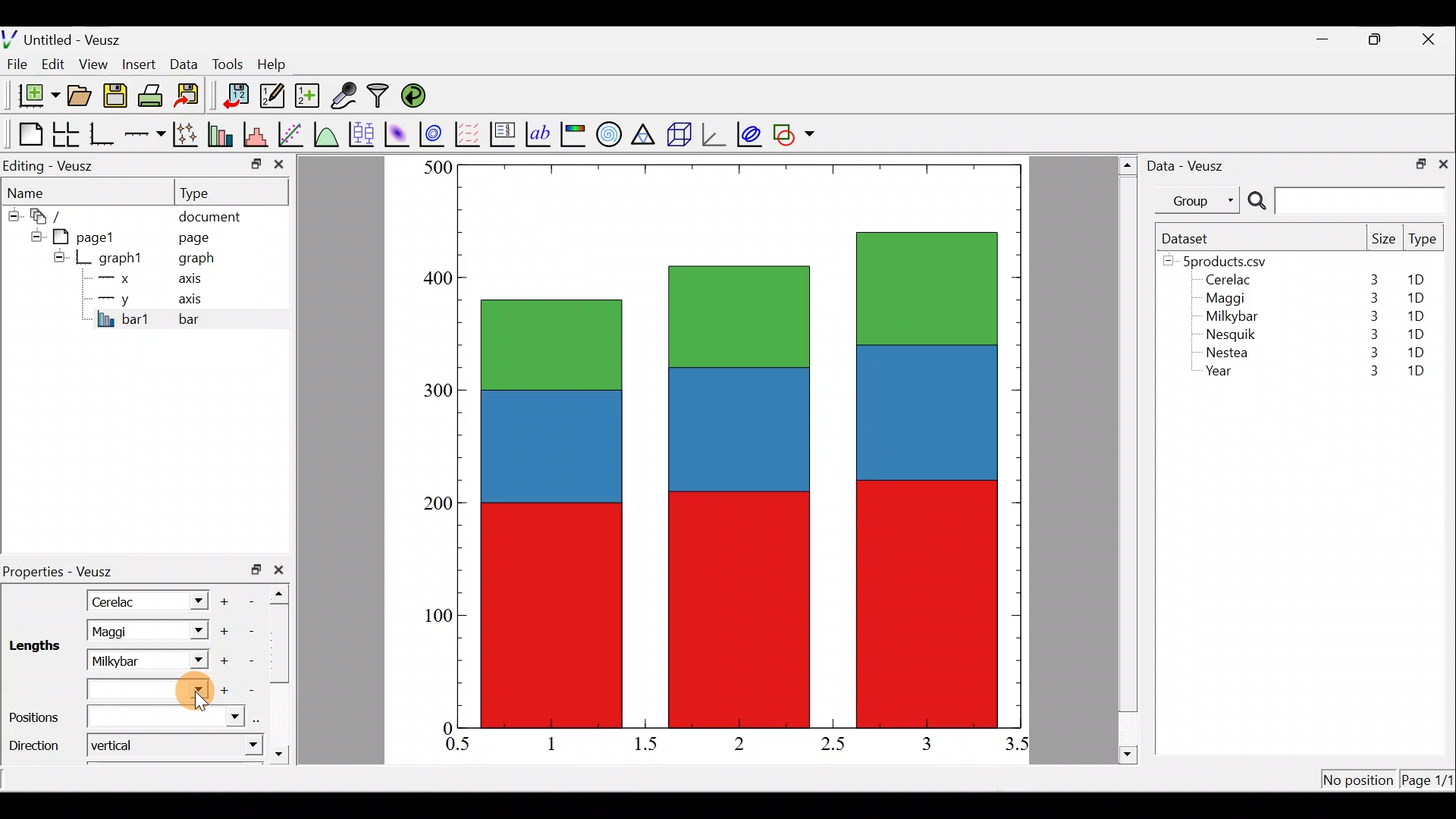  What do you see at coordinates (540, 132) in the screenshot?
I see `Text label` at bounding box center [540, 132].